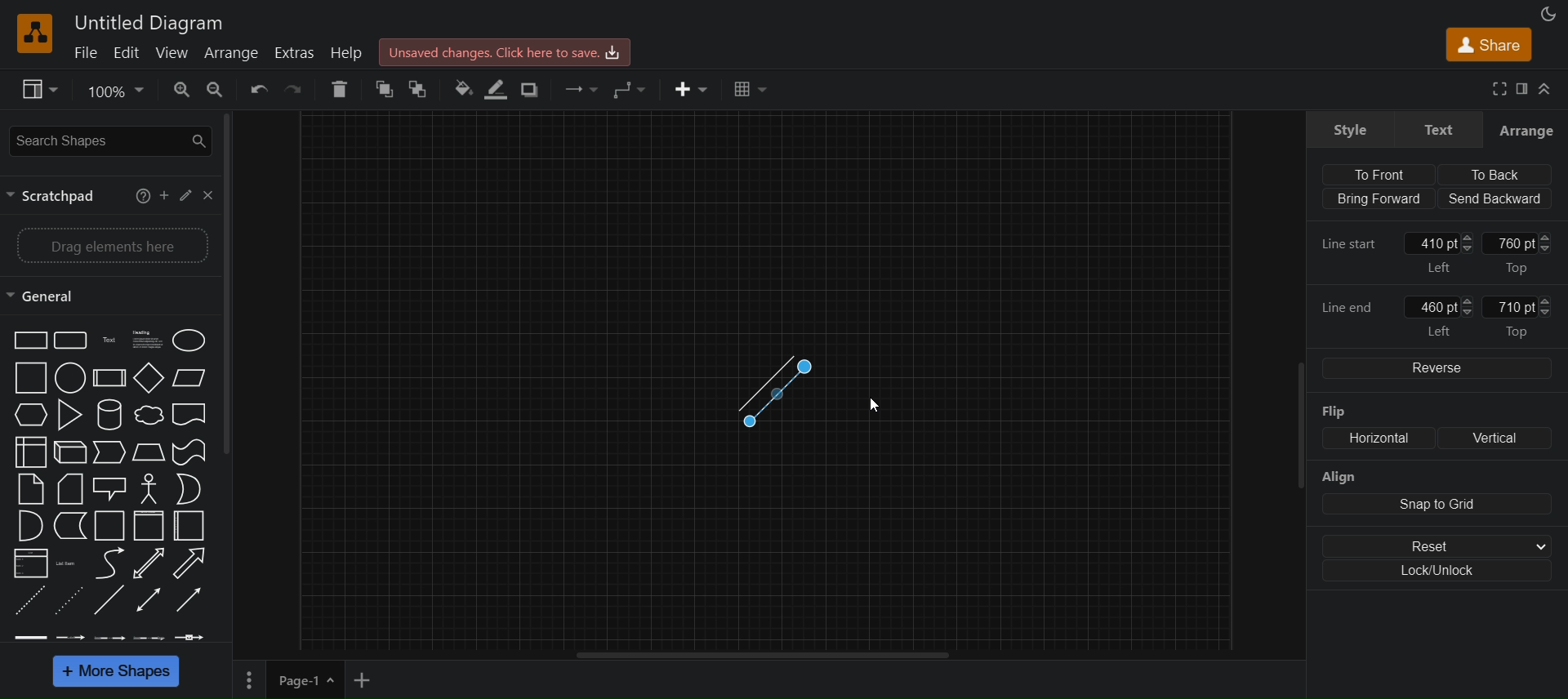 The image size is (1568, 699). Describe the element at coordinates (1495, 198) in the screenshot. I see `send backward` at that location.